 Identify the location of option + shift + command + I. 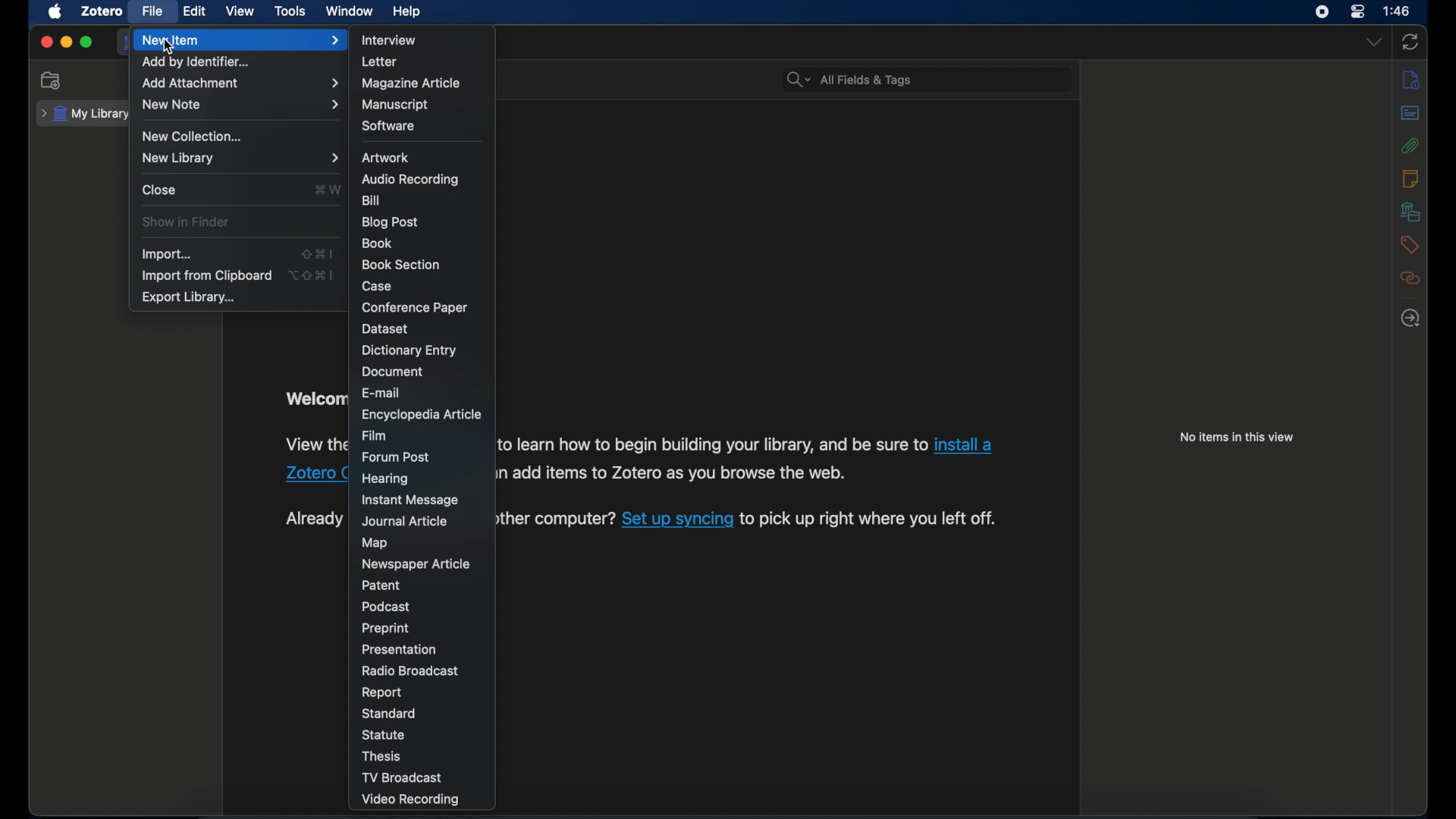
(310, 275).